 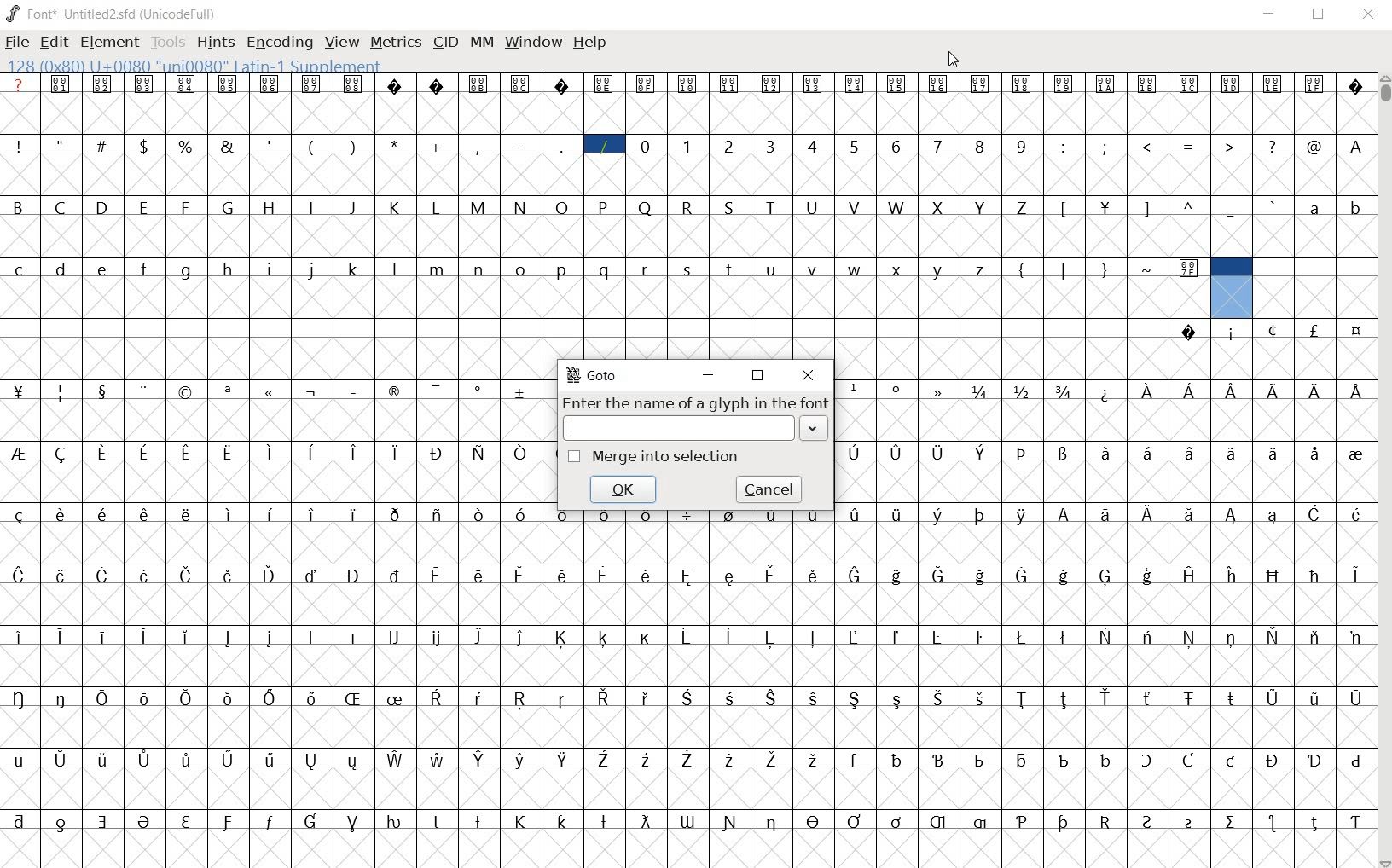 I want to click on Symbol, so click(x=146, y=84).